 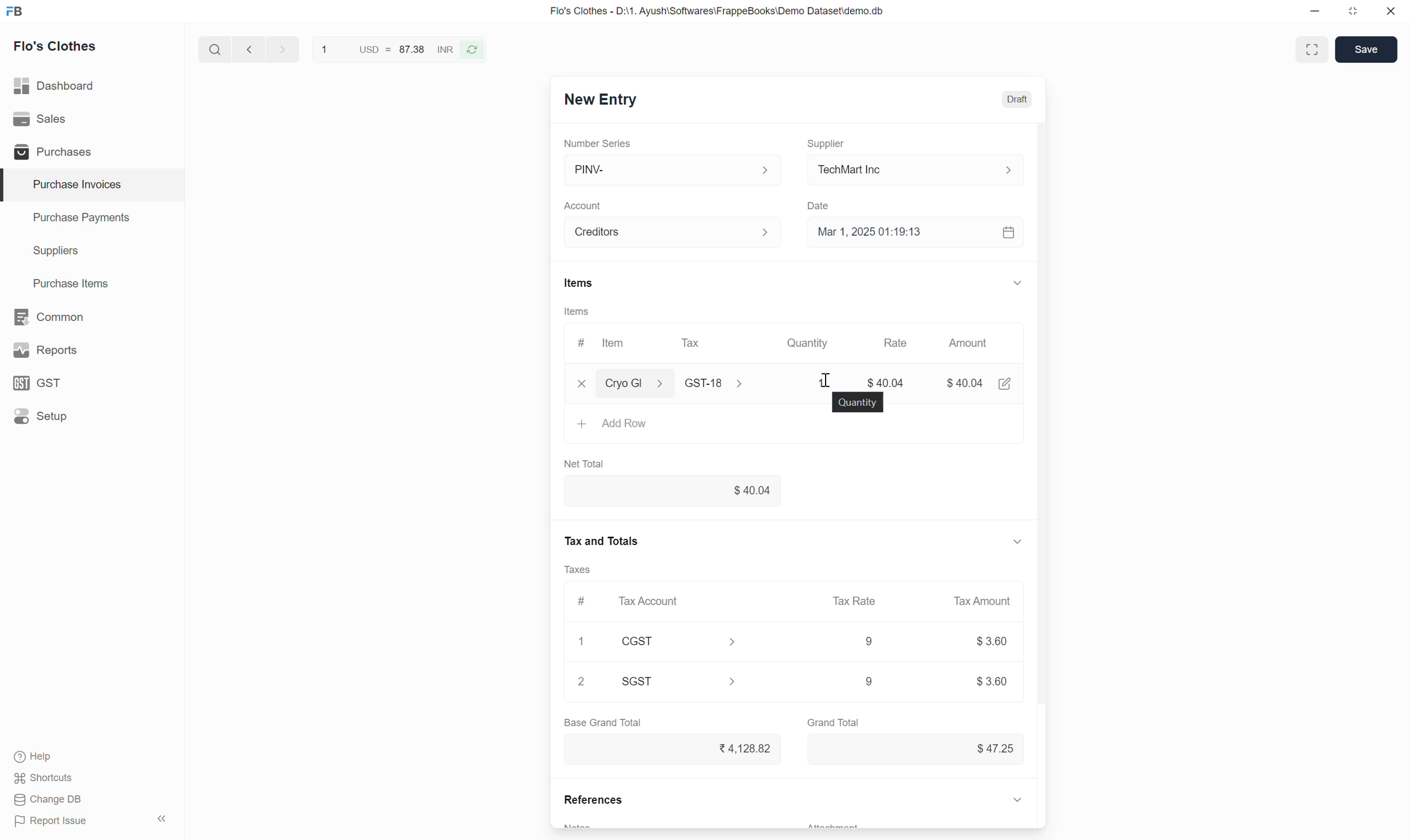 What do you see at coordinates (1019, 799) in the screenshot?
I see `expand` at bounding box center [1019, 799].